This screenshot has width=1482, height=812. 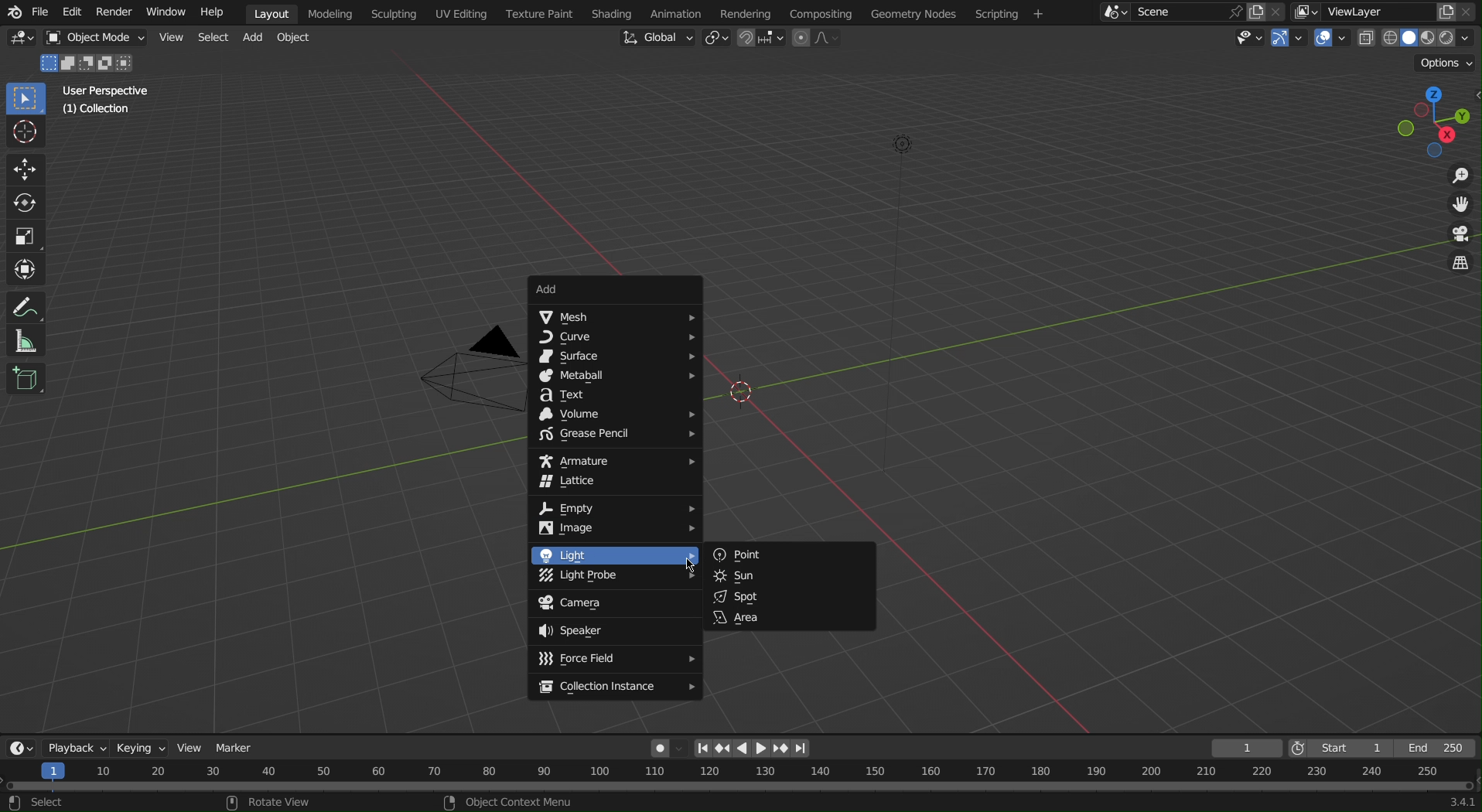 I want to click on Compositing, so click(x=820, y=12).